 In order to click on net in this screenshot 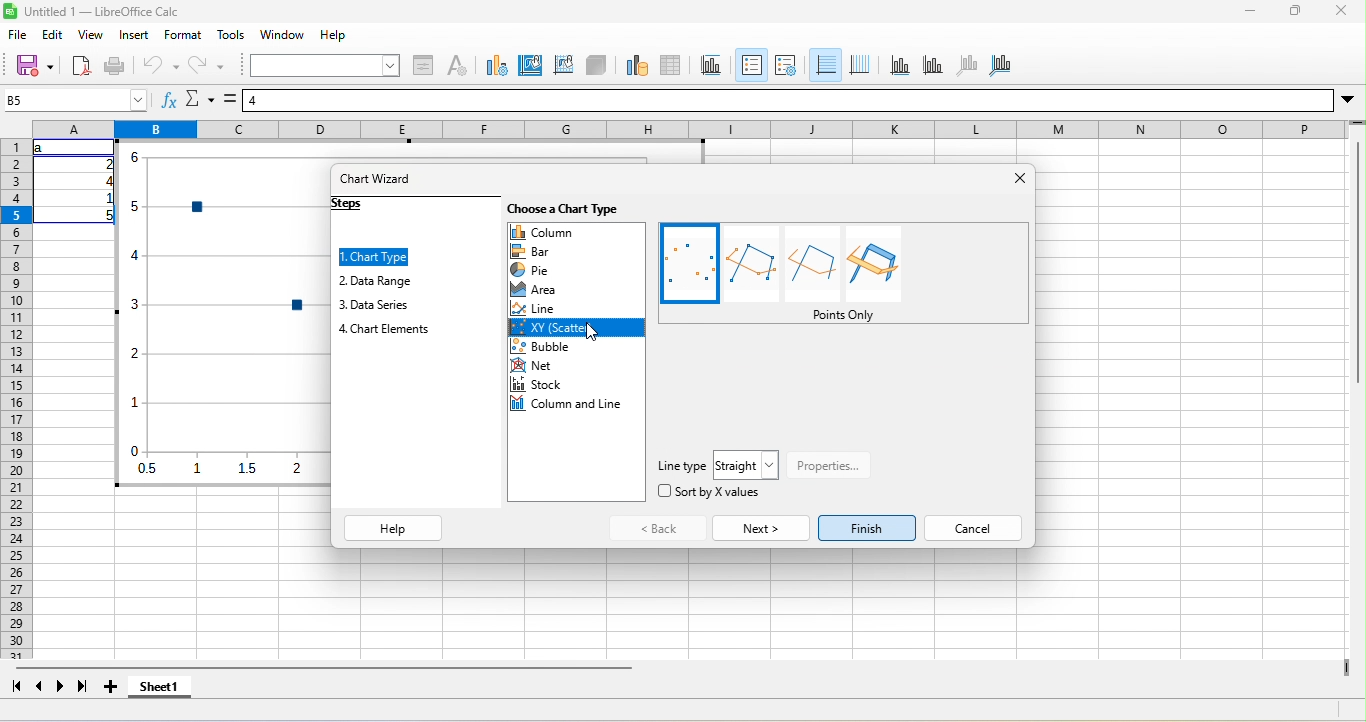, I will do `click(576, 365)`.